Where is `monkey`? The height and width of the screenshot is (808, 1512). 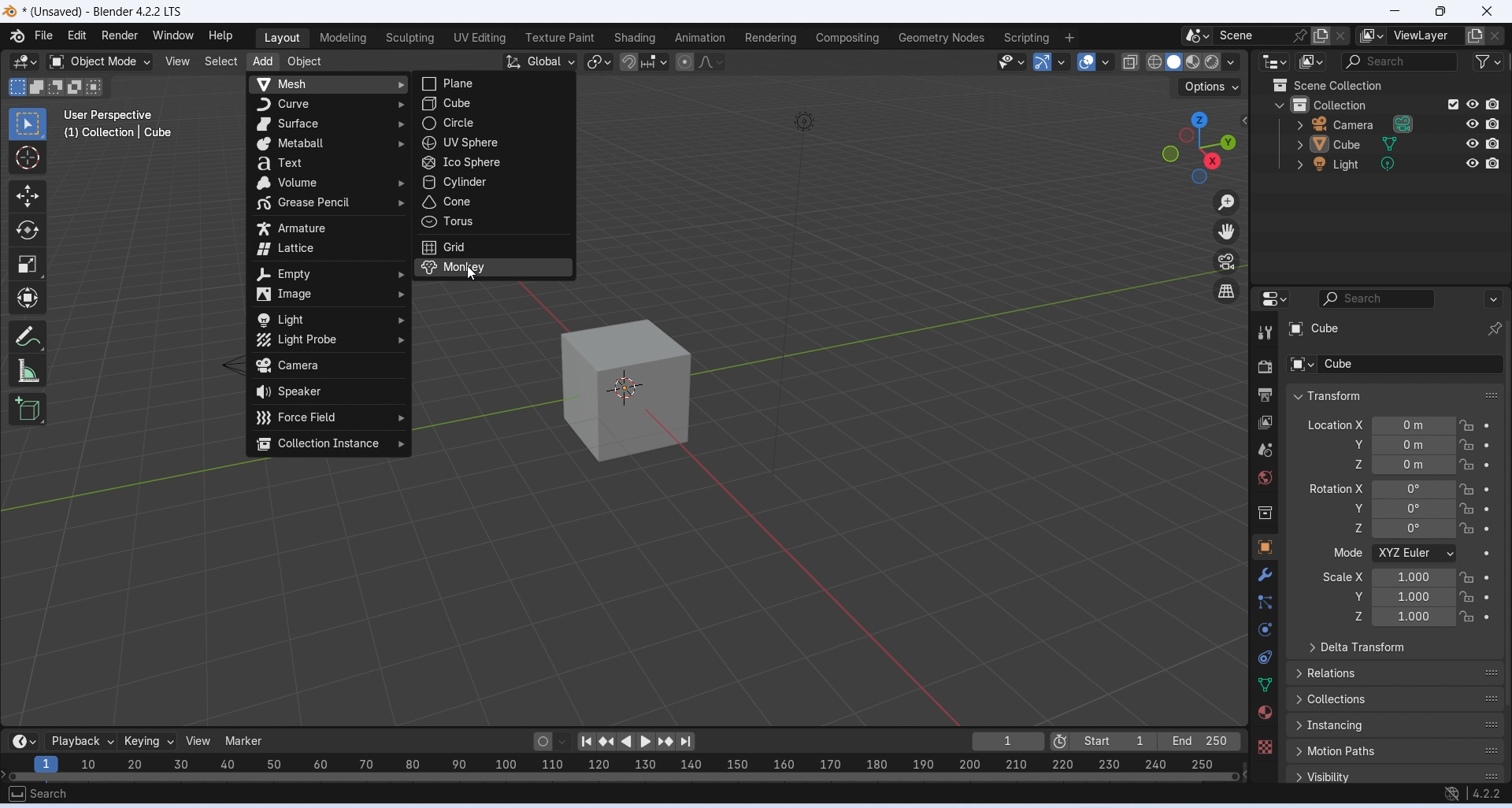
monkey is located at coordinates (492, 267).